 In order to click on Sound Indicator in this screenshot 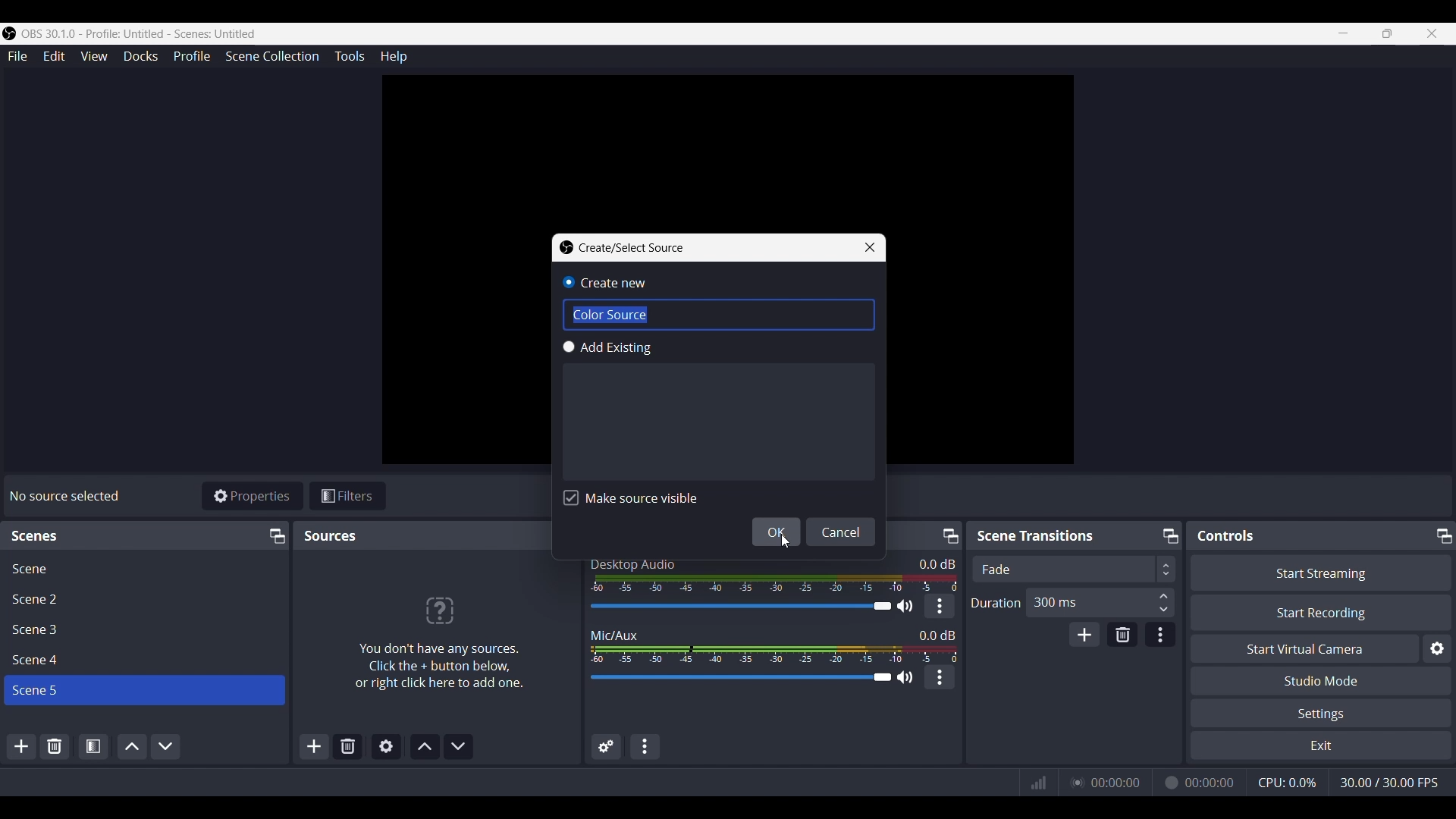, I will do `click(772, 654)`.